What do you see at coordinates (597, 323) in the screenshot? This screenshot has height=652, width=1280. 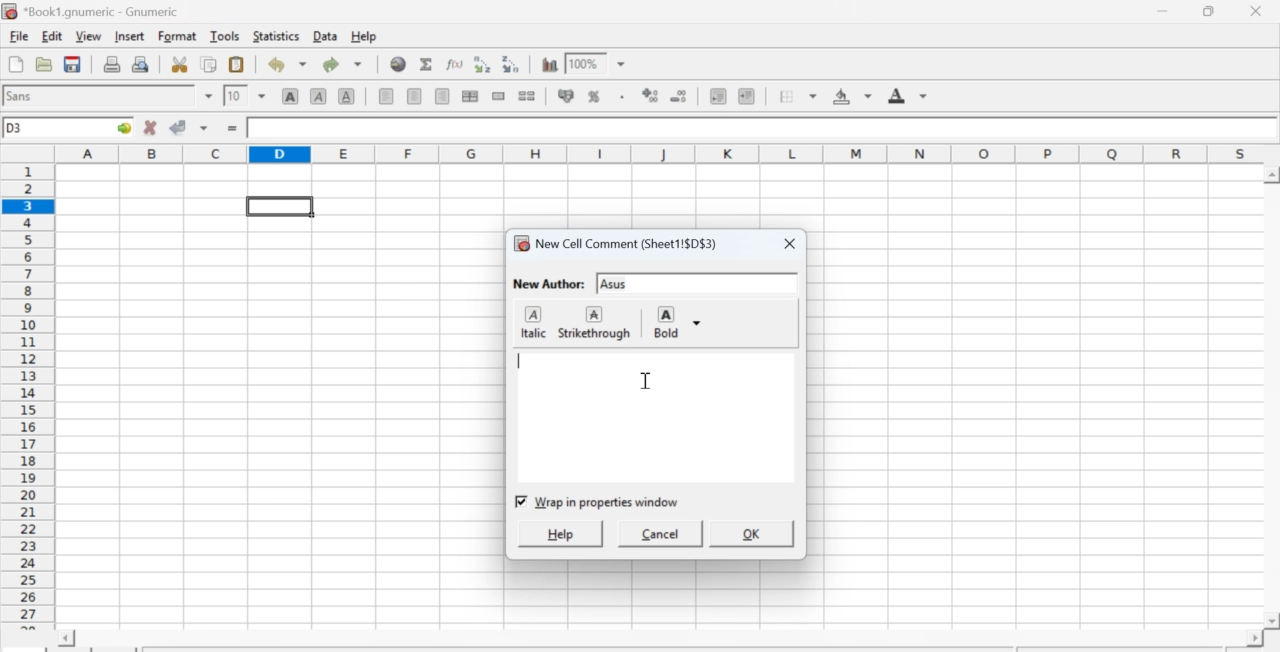 I see `strikethrough` at bounding box center [597, 323].